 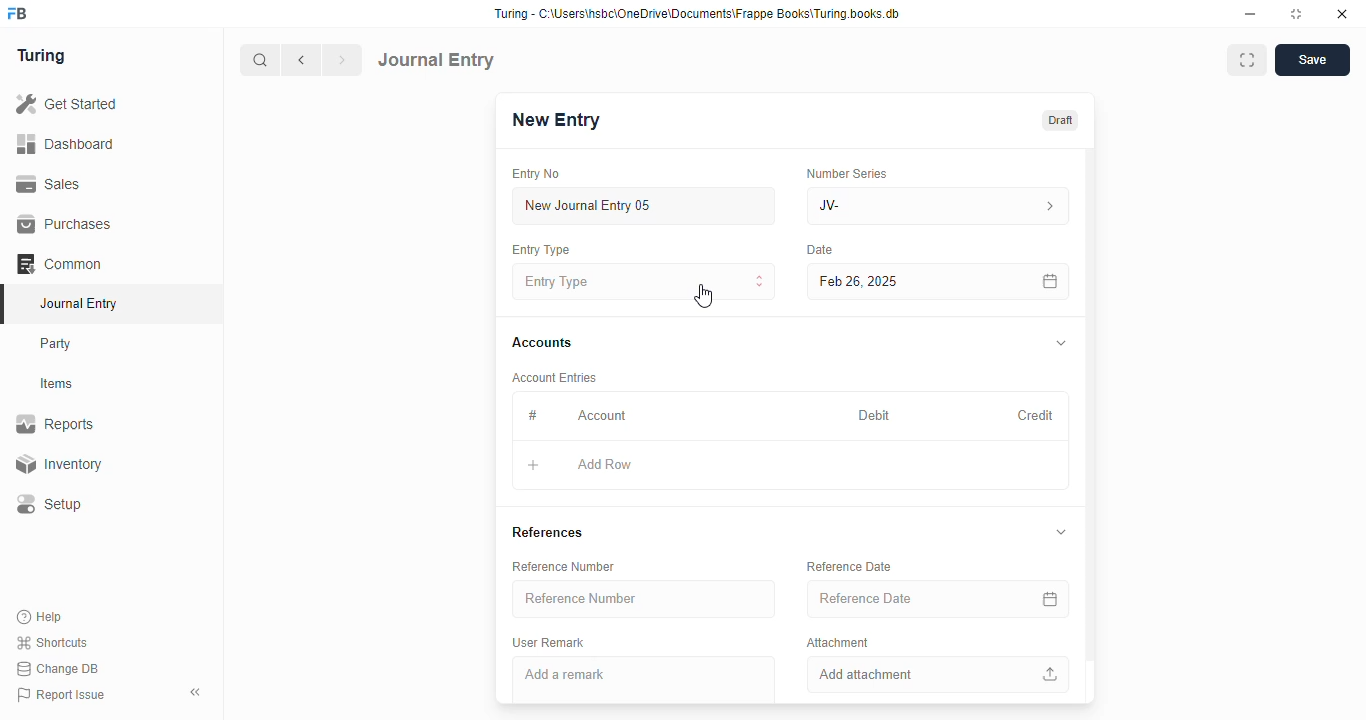 What do you see at coordinates (645, 281) in the screenshot?
I see `entry type` at bounding box center [645, 281].